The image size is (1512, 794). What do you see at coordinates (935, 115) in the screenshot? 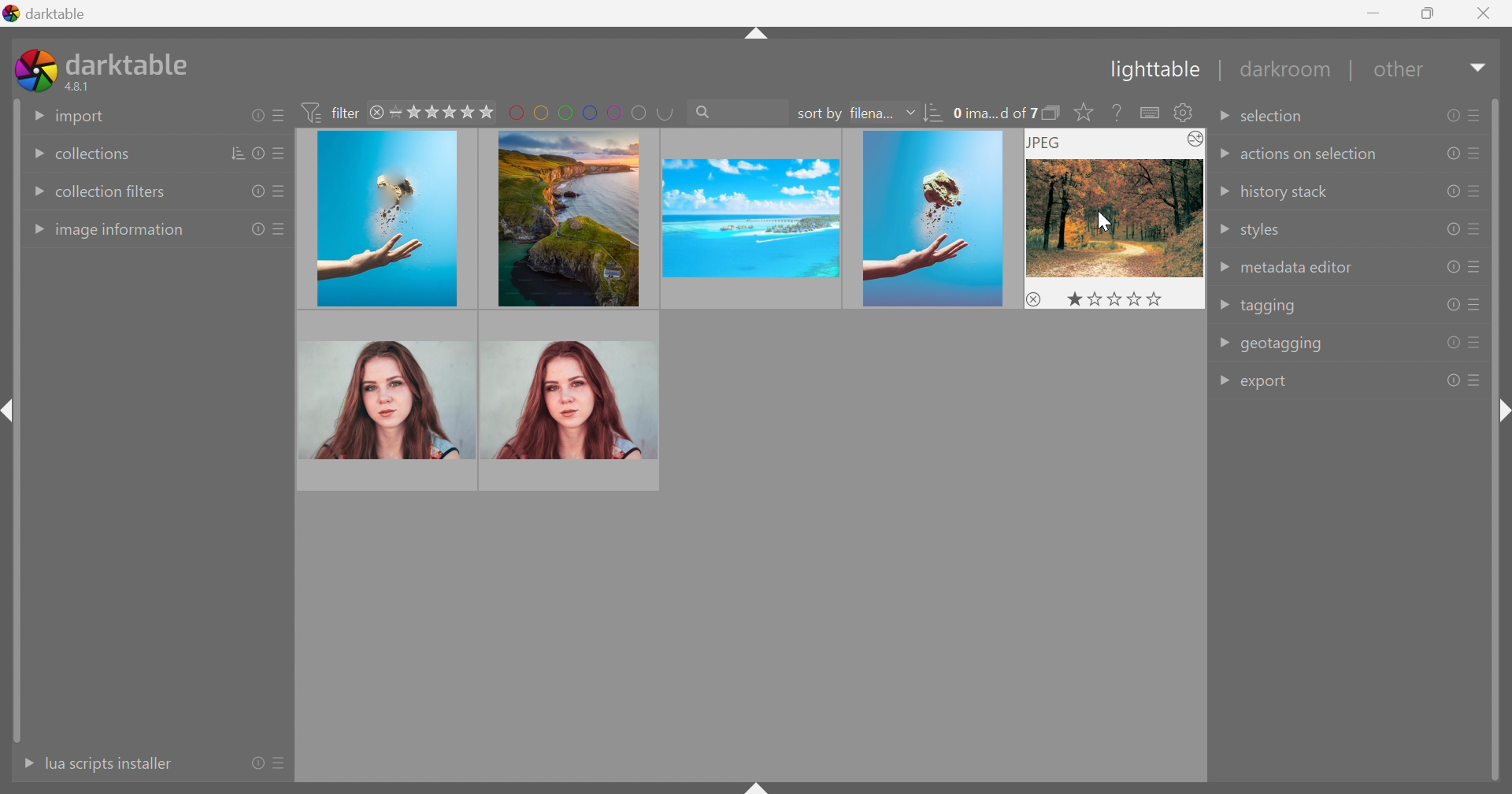
I see `sort` at bounding box center [935, 115].